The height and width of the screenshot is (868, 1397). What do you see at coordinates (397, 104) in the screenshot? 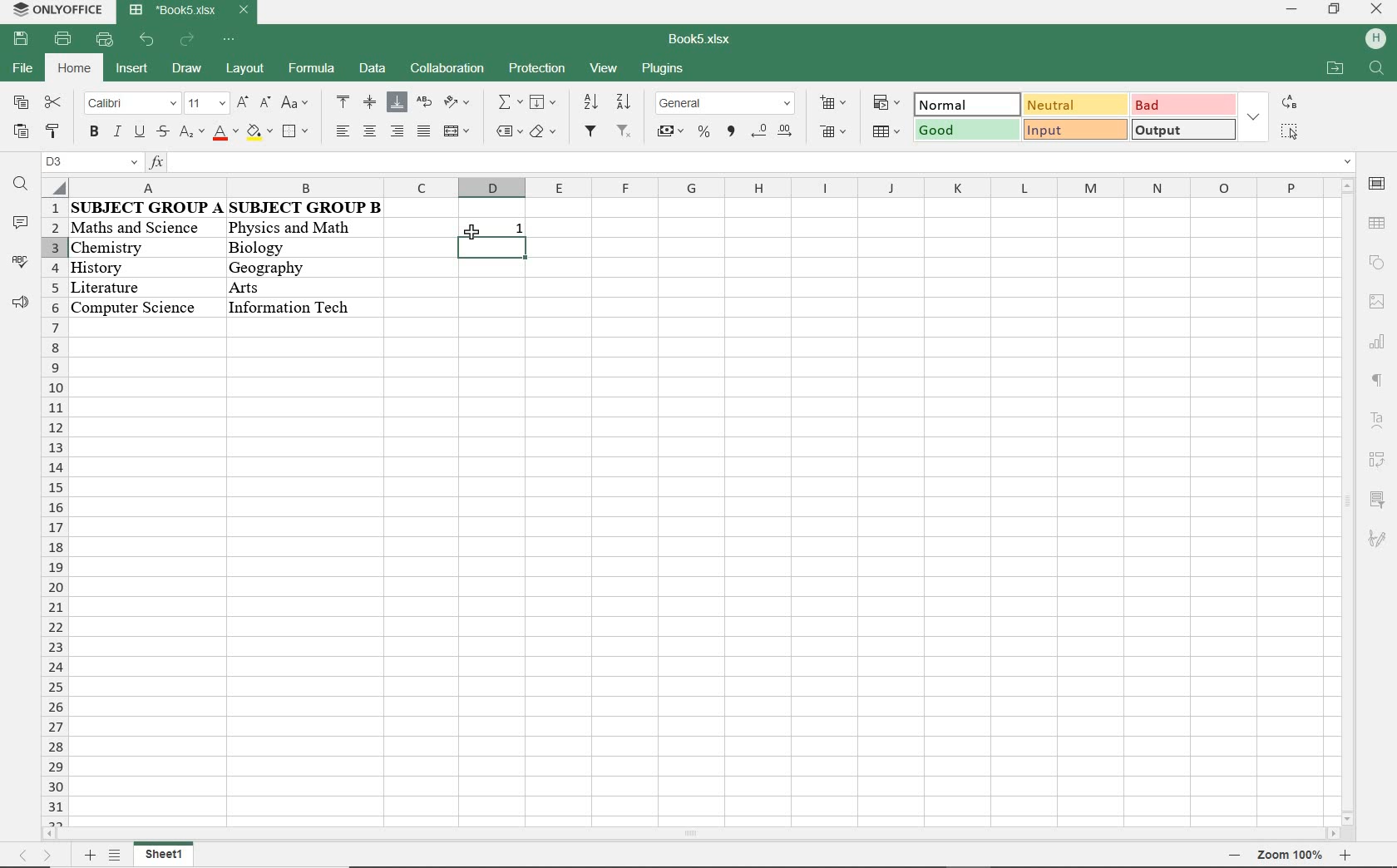
I see `align bottom` at bounding box center [397, 104].